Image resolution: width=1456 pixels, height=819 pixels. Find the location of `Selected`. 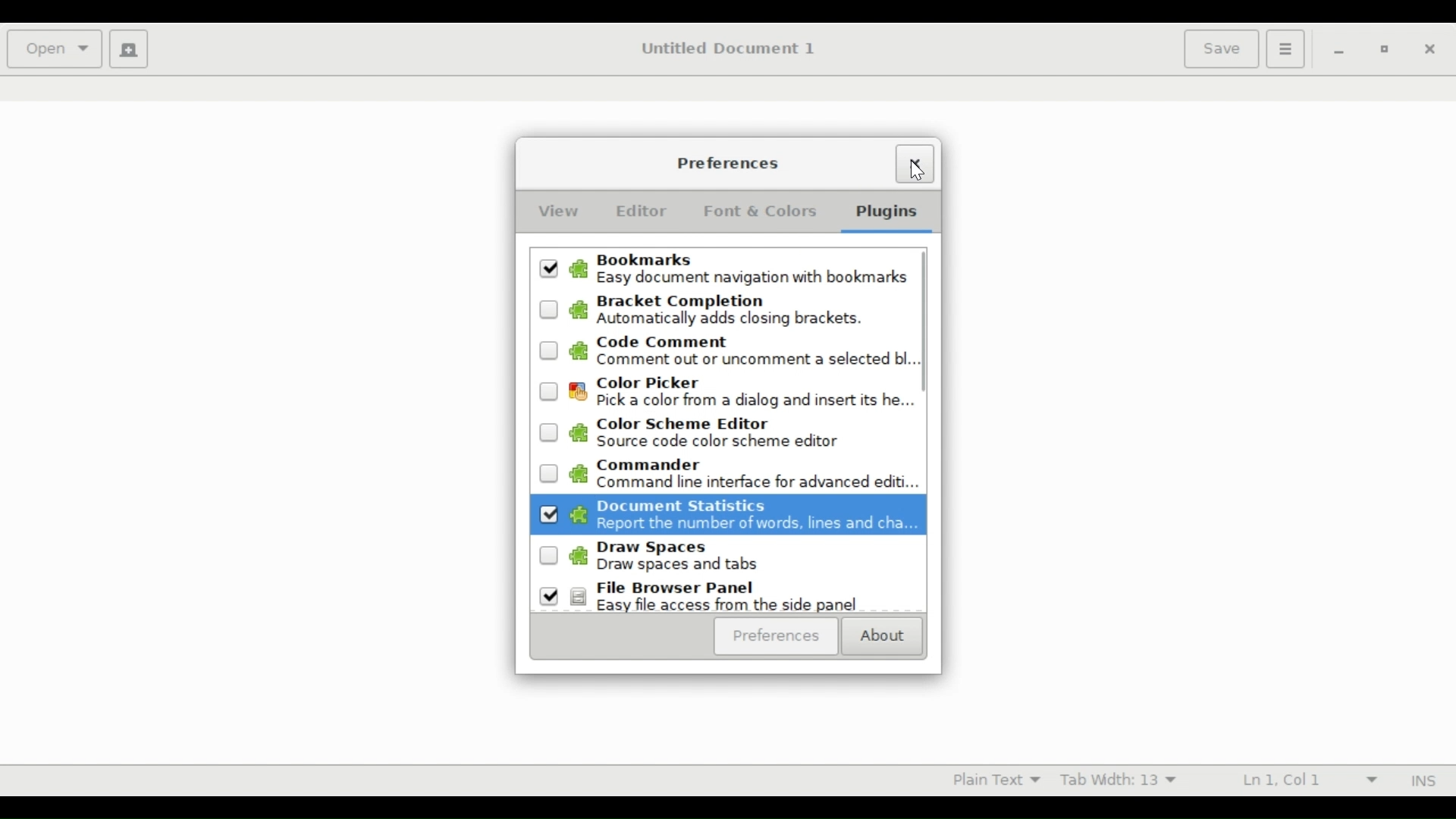

Selected is located at coordinates (551, 268).